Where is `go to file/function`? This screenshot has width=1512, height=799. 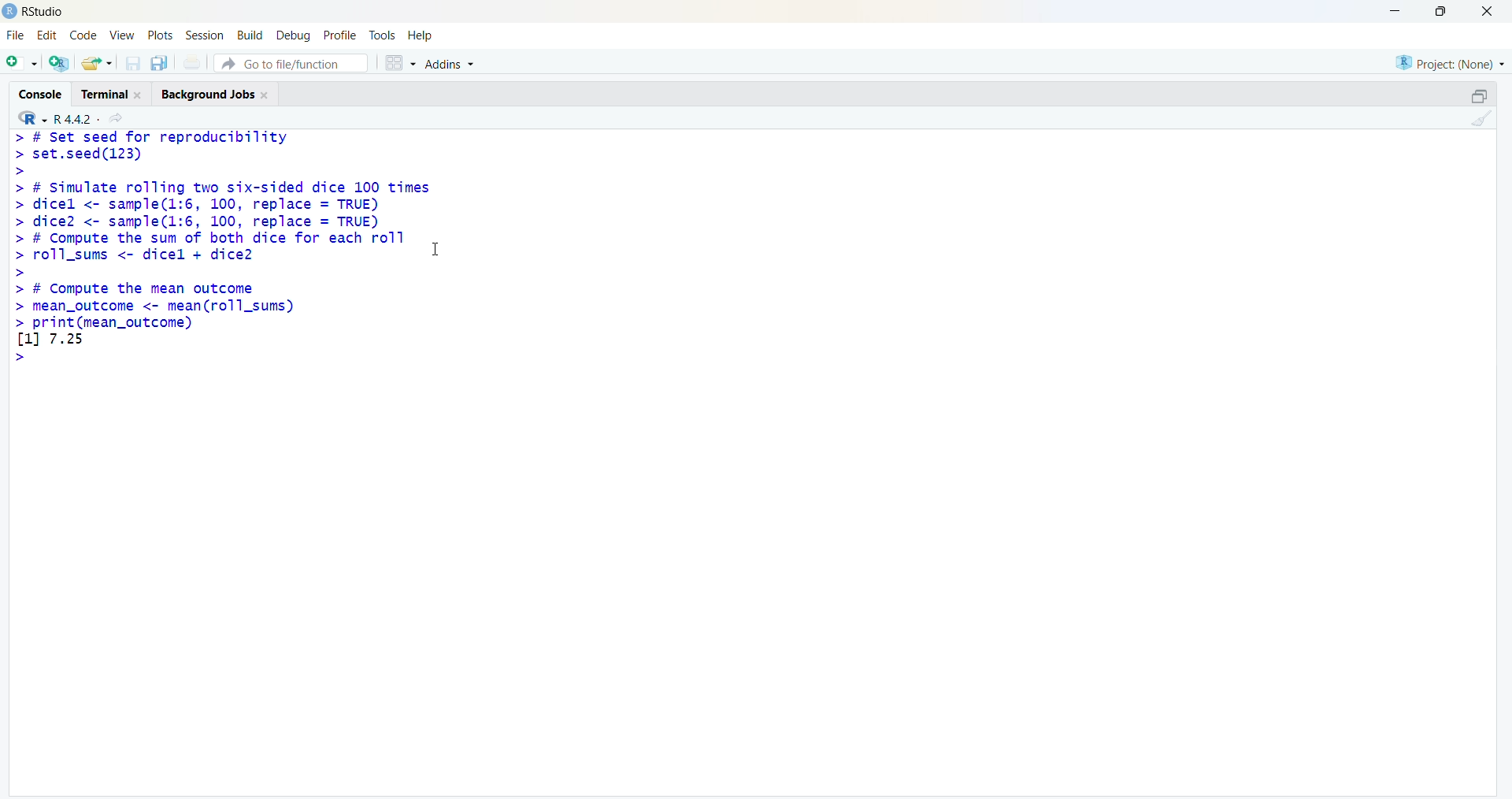
go to file/function is located at coordinates (291, 63).